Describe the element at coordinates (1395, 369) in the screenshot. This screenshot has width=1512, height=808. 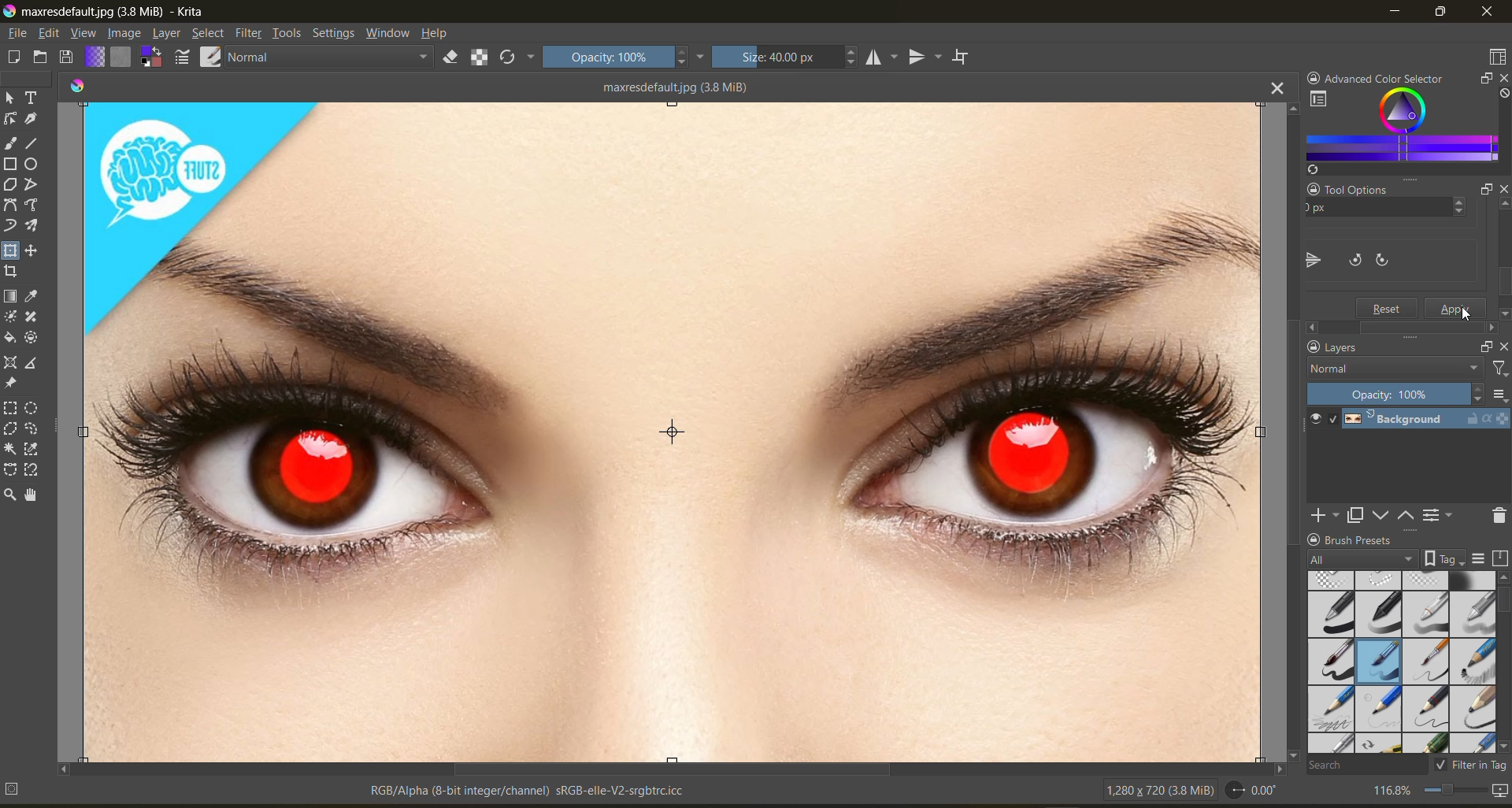
I see `normal` at that location.